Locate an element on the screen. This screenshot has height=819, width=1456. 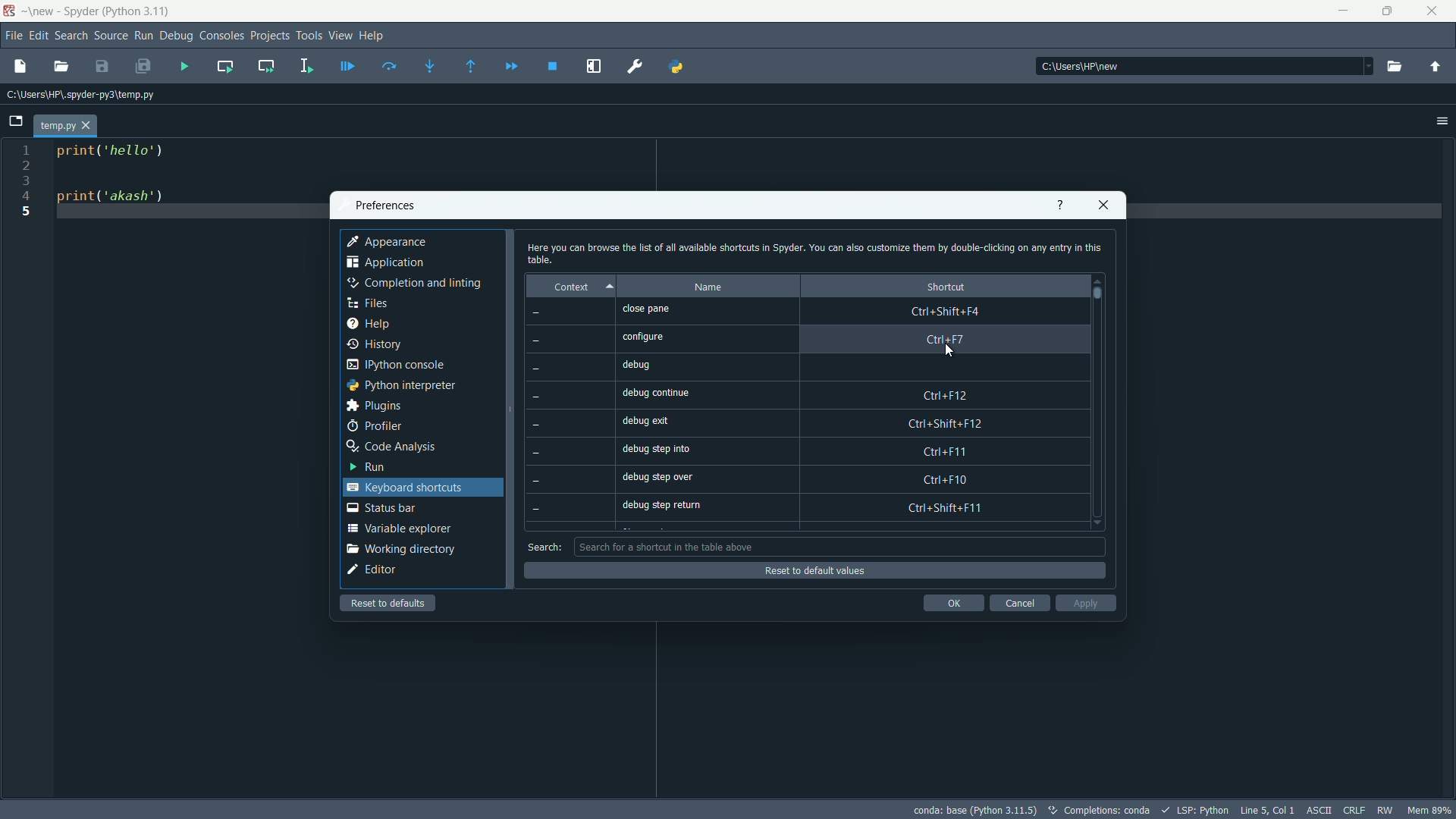
app icon is located at coordinates (9, 11).